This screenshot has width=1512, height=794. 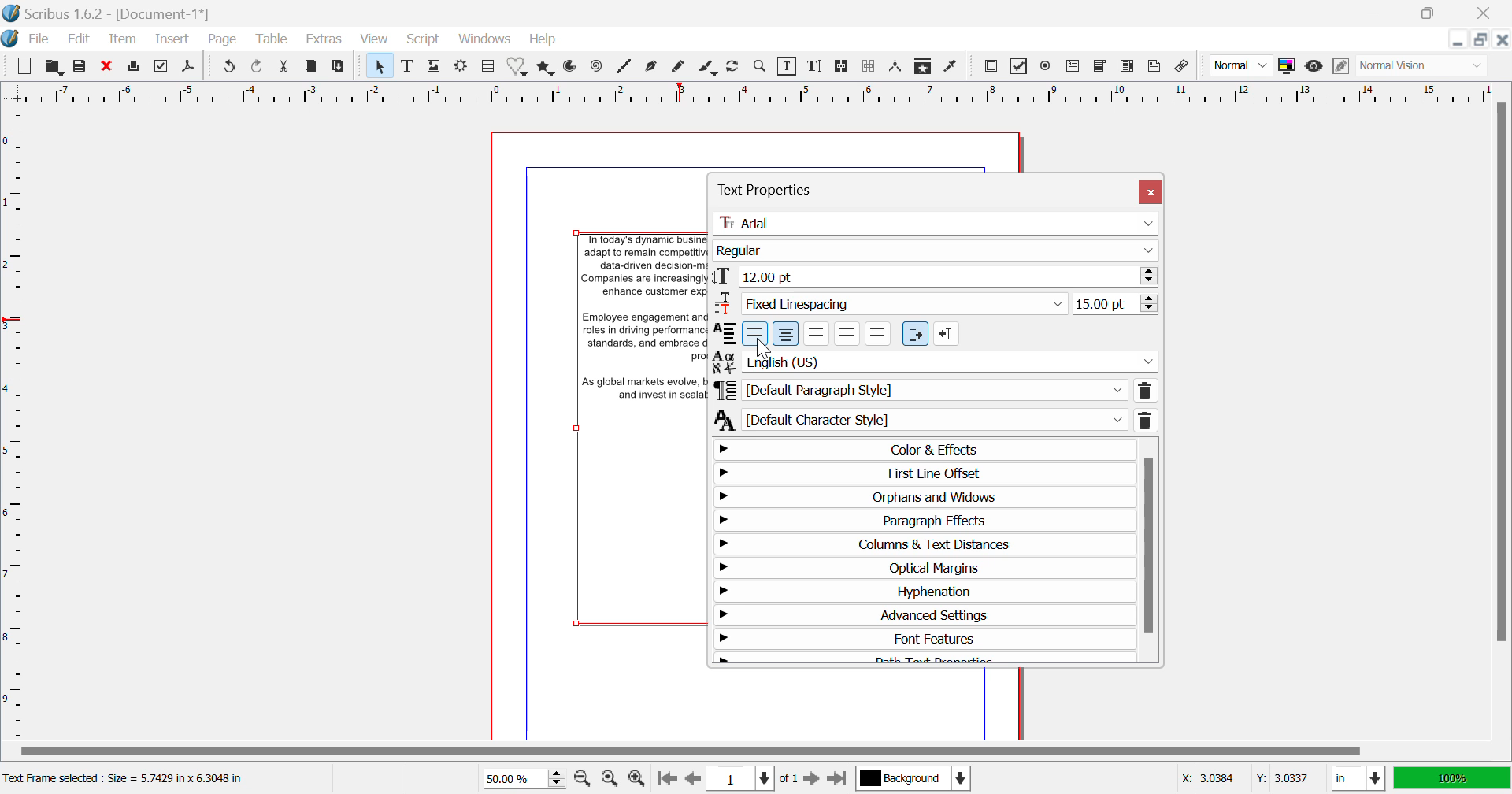 I want to click on Text Frame, so click(x=407, y=66).